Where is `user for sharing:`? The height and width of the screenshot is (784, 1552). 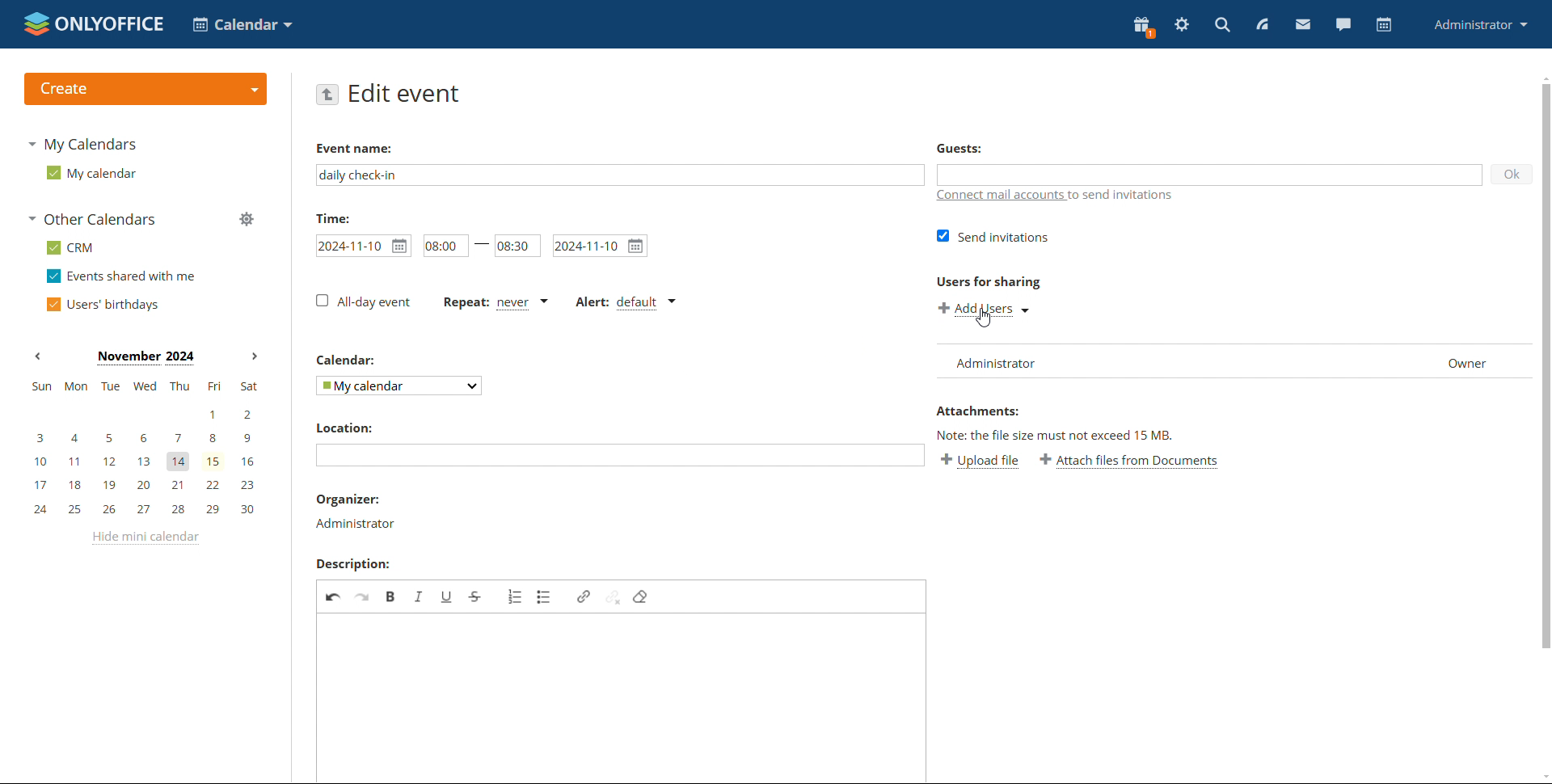 user for sharing: is located at coordinates (1014, 281).